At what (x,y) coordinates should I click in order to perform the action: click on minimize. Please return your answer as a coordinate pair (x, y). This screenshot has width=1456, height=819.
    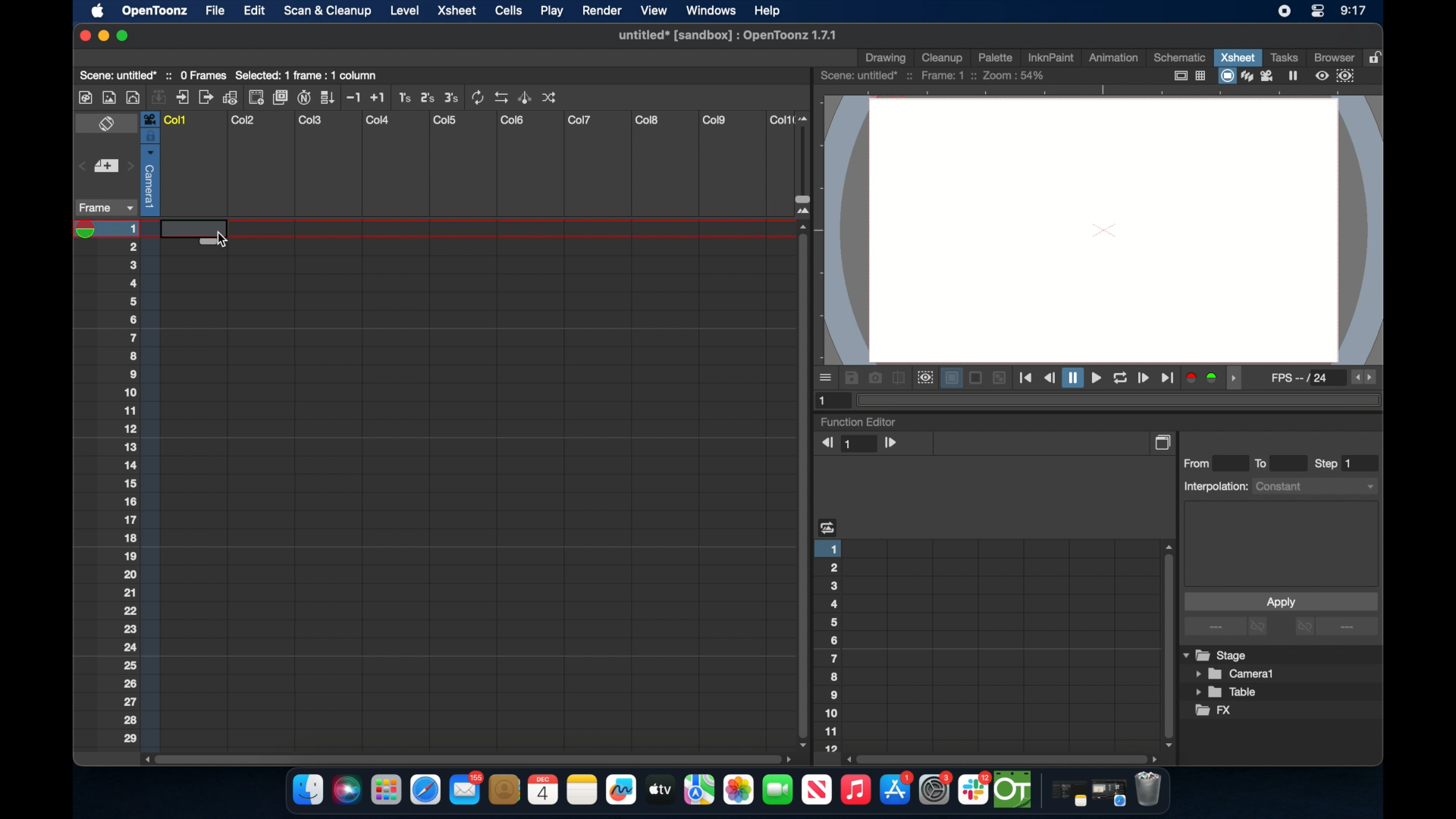
    Looking at the image, I should click on (102, 36).